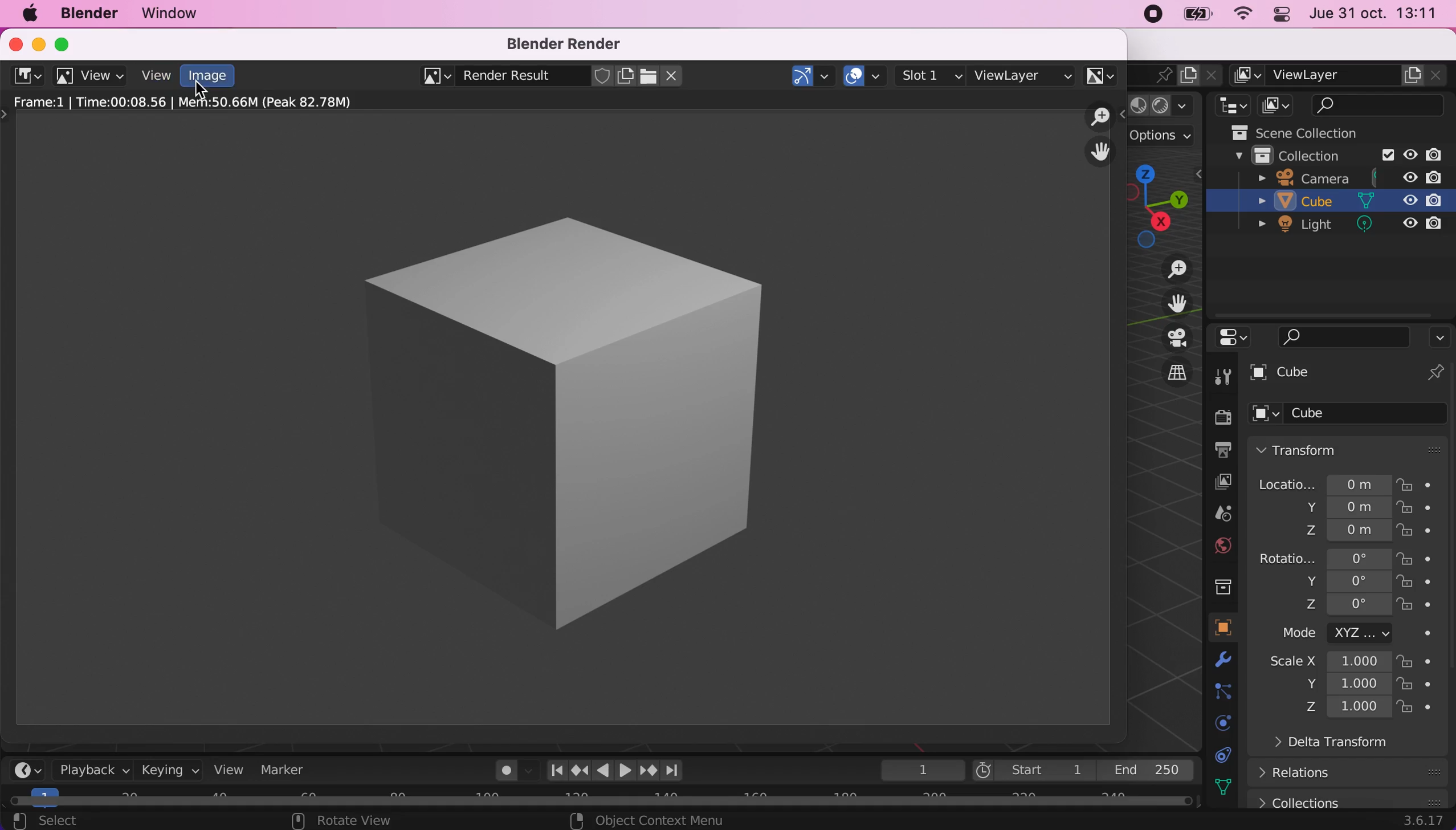  What do you see at coordinates (1166, 204) in the screenshot?
I see `click shortcut drag` at bounding box center [1166, 204].